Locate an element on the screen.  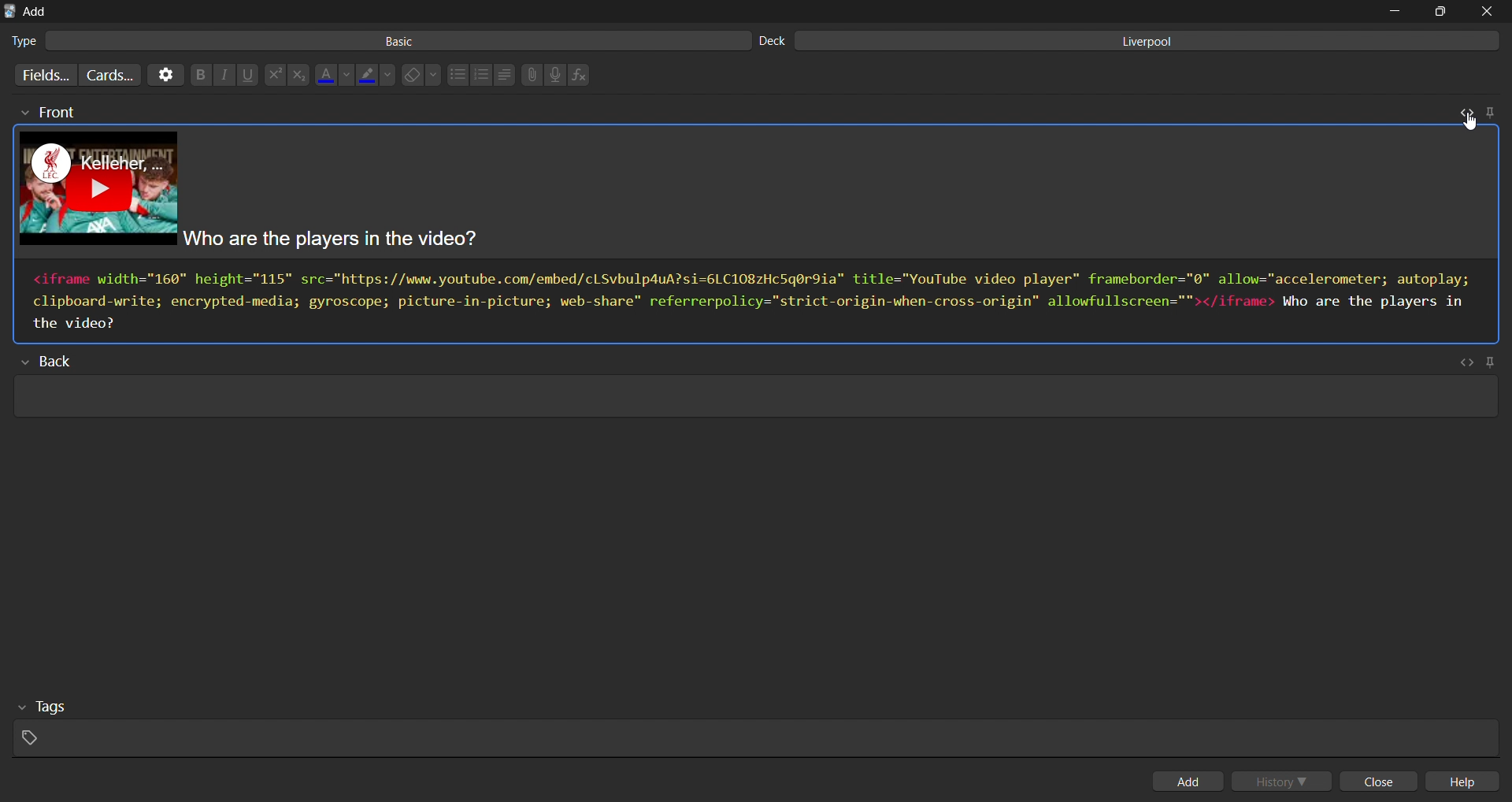
pin is located at coordinates (1489, 111).